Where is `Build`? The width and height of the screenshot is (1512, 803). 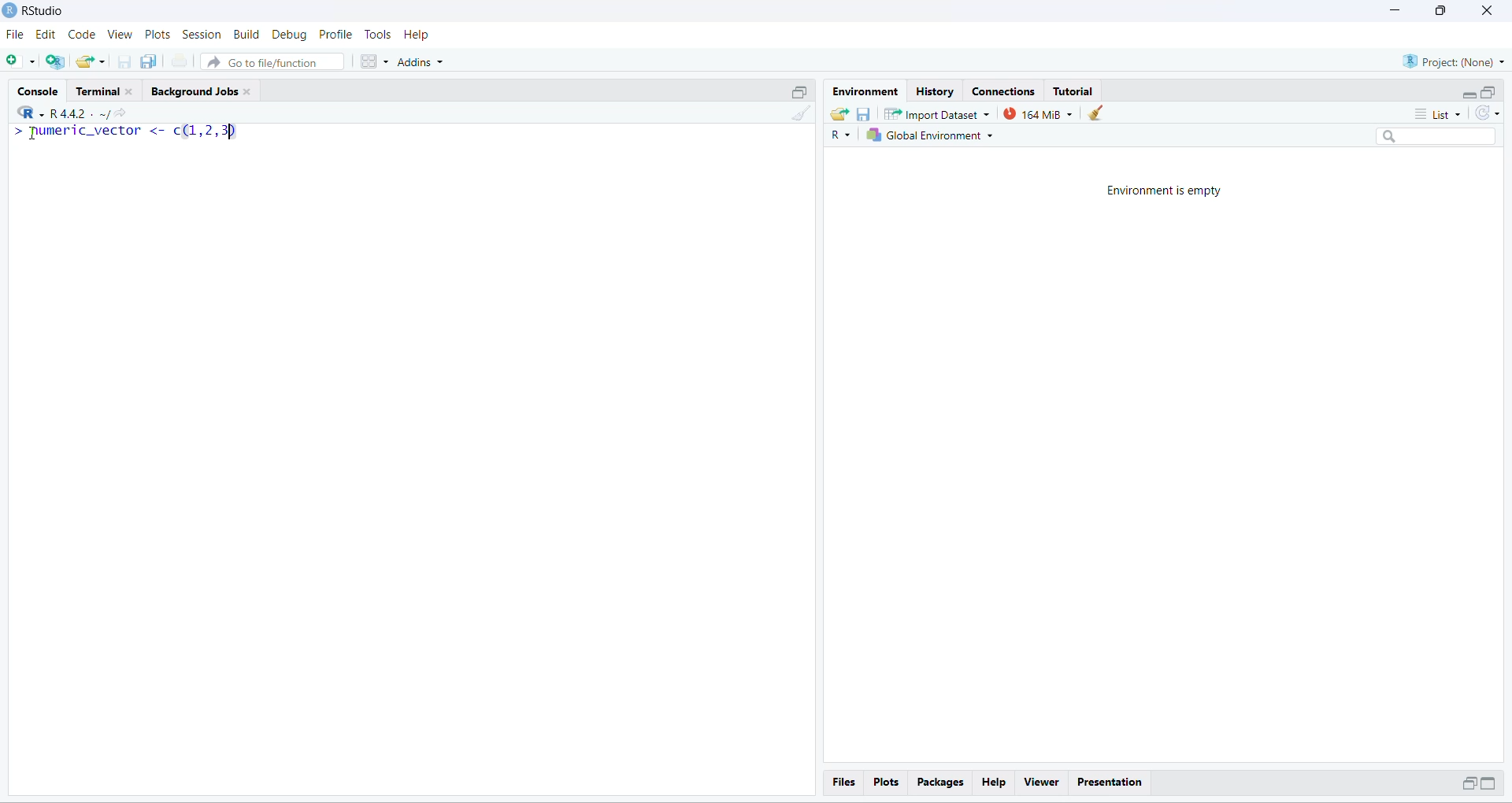 Build is located at coordinates (246, 34).